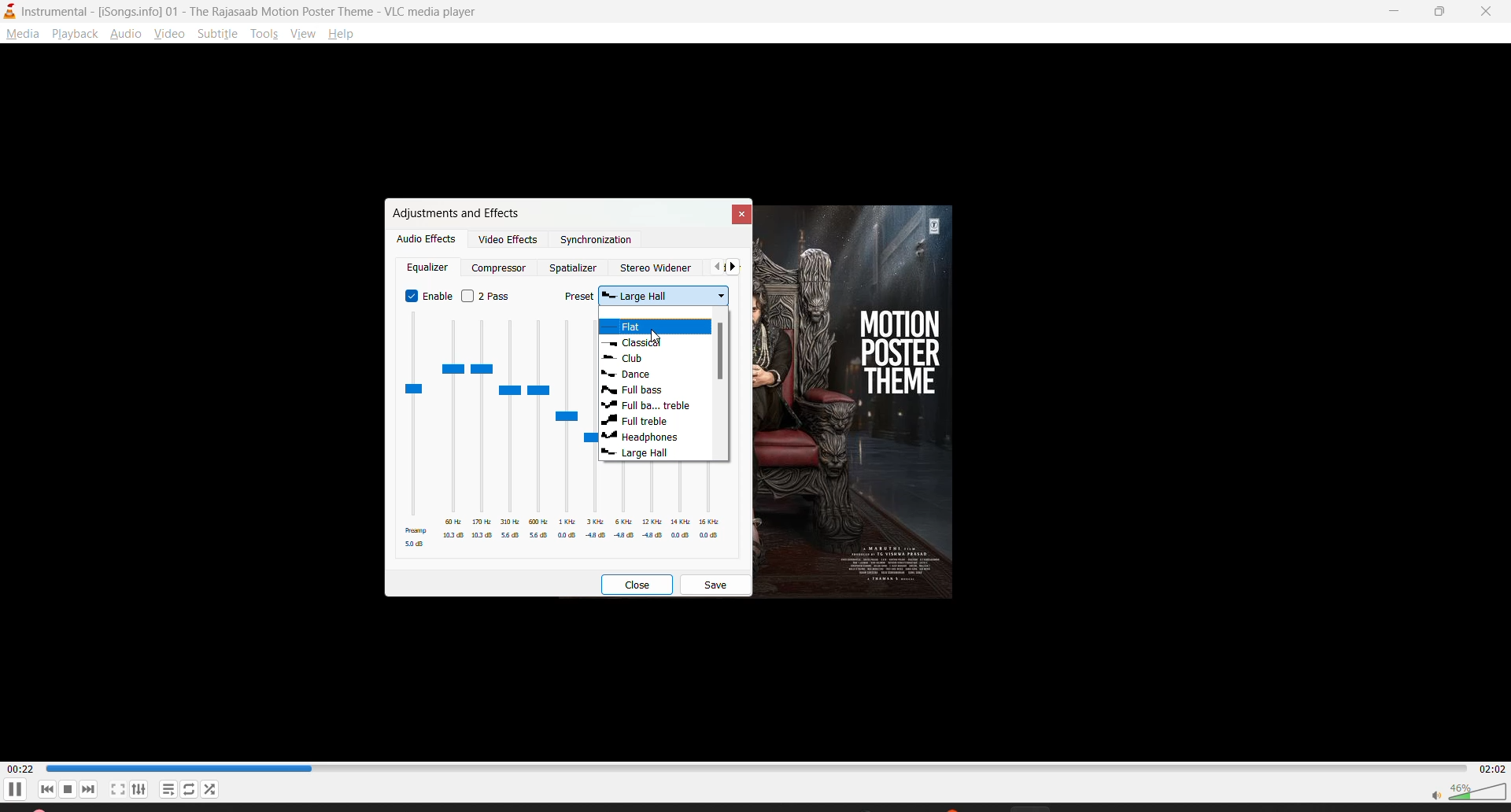  What do you see at coordinates (638, 344) in the screenshot?
I see `classical` at bounding box center [638, 344].